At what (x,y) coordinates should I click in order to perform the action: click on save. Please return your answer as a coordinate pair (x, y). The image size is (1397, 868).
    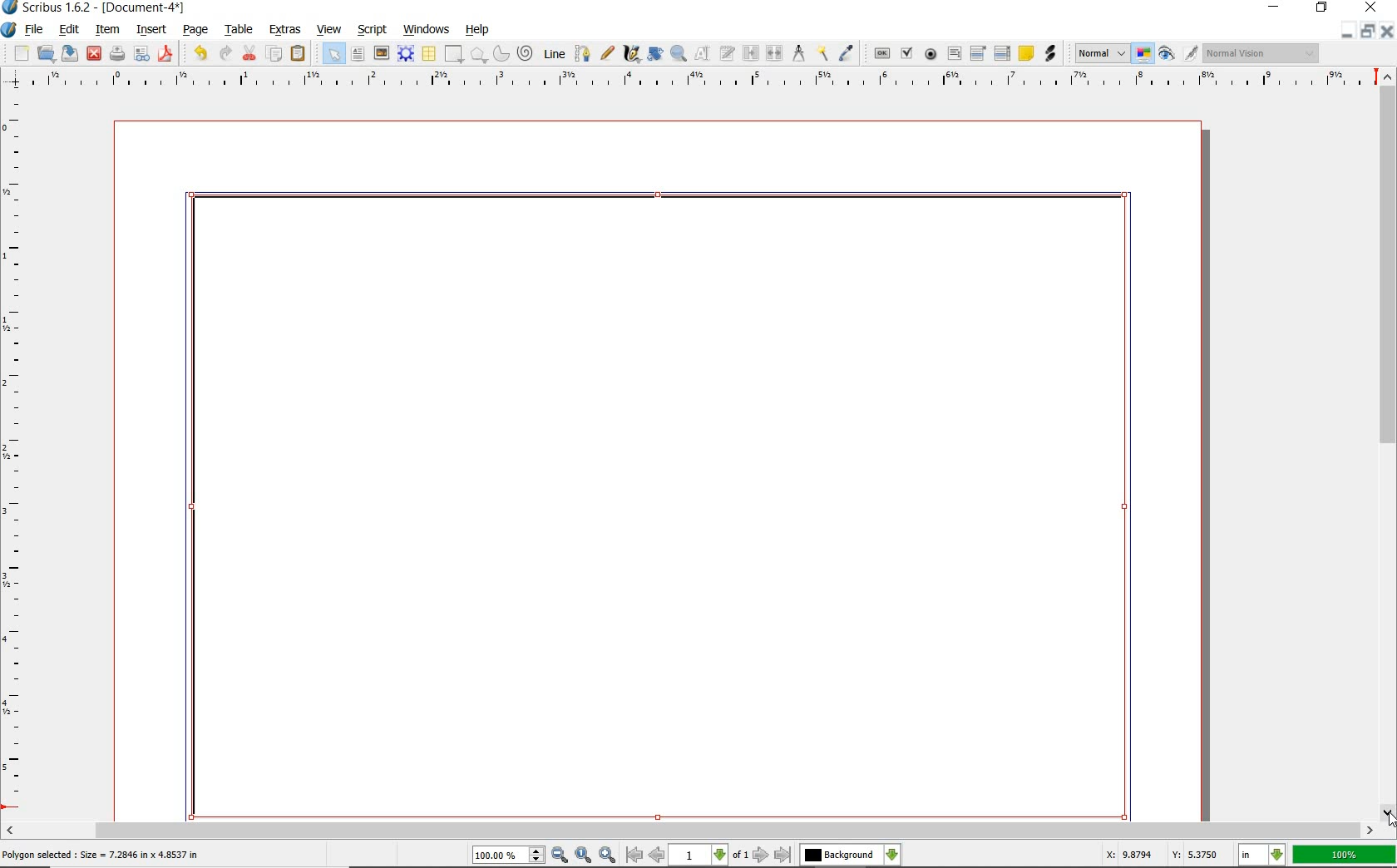
    Looking at the image, I should click on (71, 54).